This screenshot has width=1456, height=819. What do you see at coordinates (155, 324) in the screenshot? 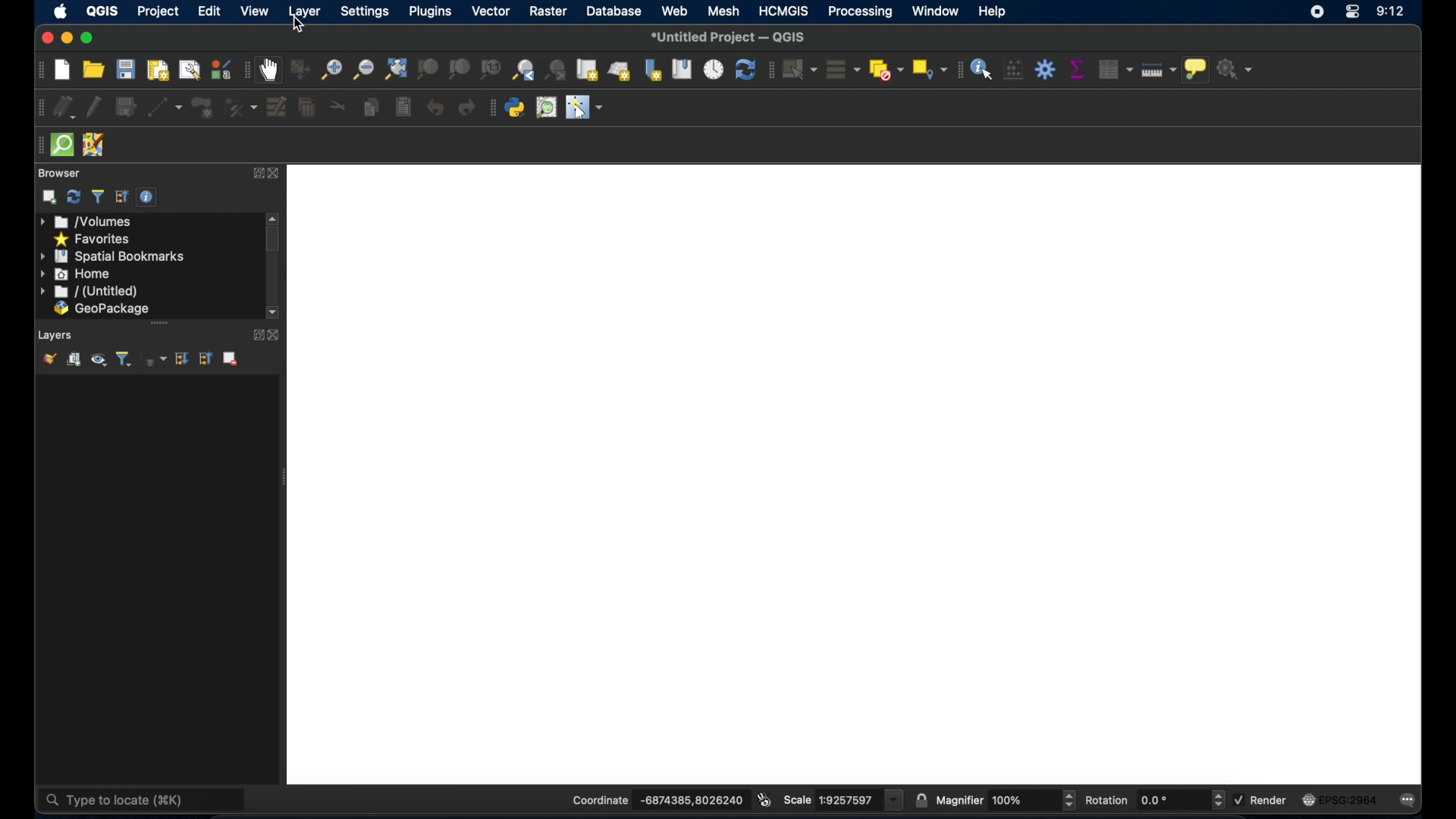
I see `scroll bar` at bounding box center [155, 324].